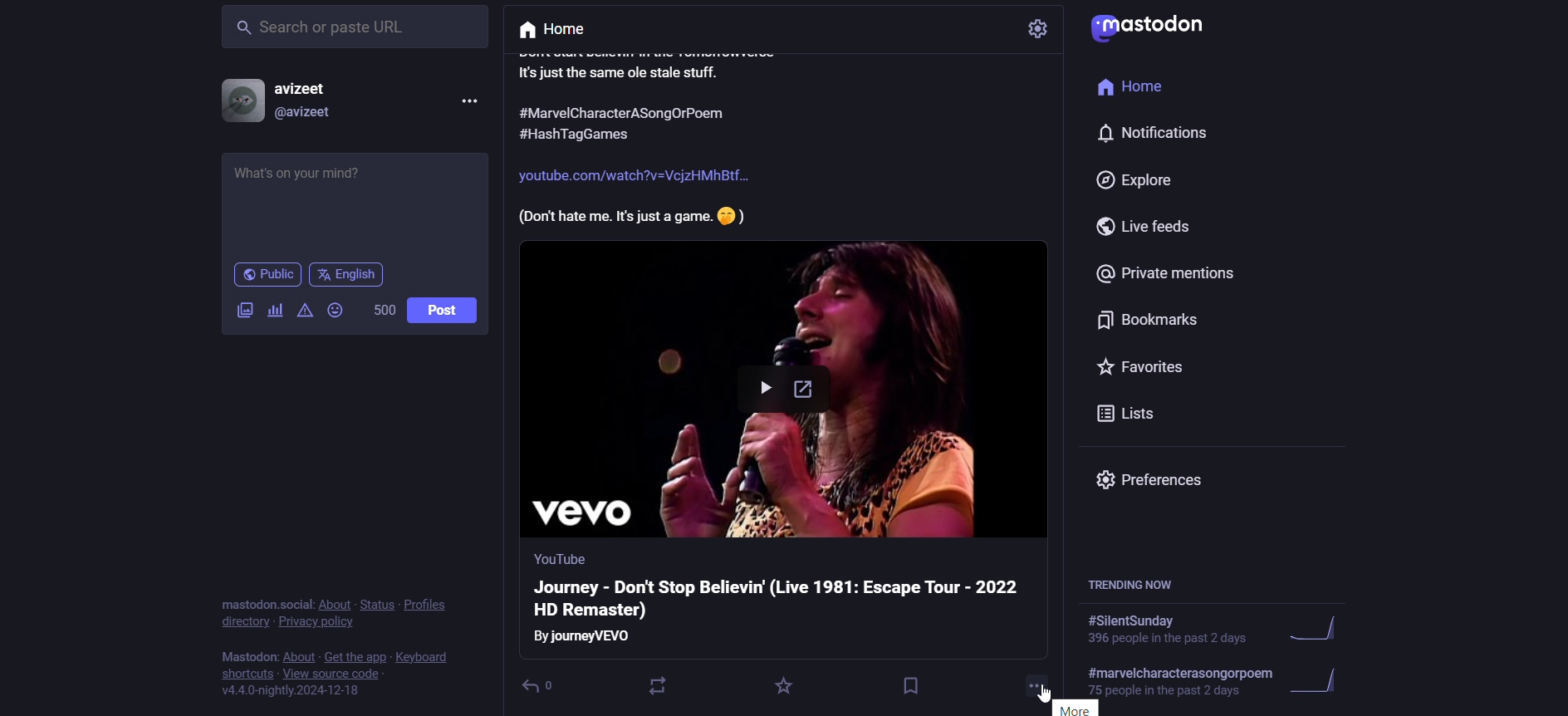 The height and width of the screenshot is (716, 1568). Describe the element at coordinates (353, 202) in the screenshot. I see `whats on your mind` at that location.